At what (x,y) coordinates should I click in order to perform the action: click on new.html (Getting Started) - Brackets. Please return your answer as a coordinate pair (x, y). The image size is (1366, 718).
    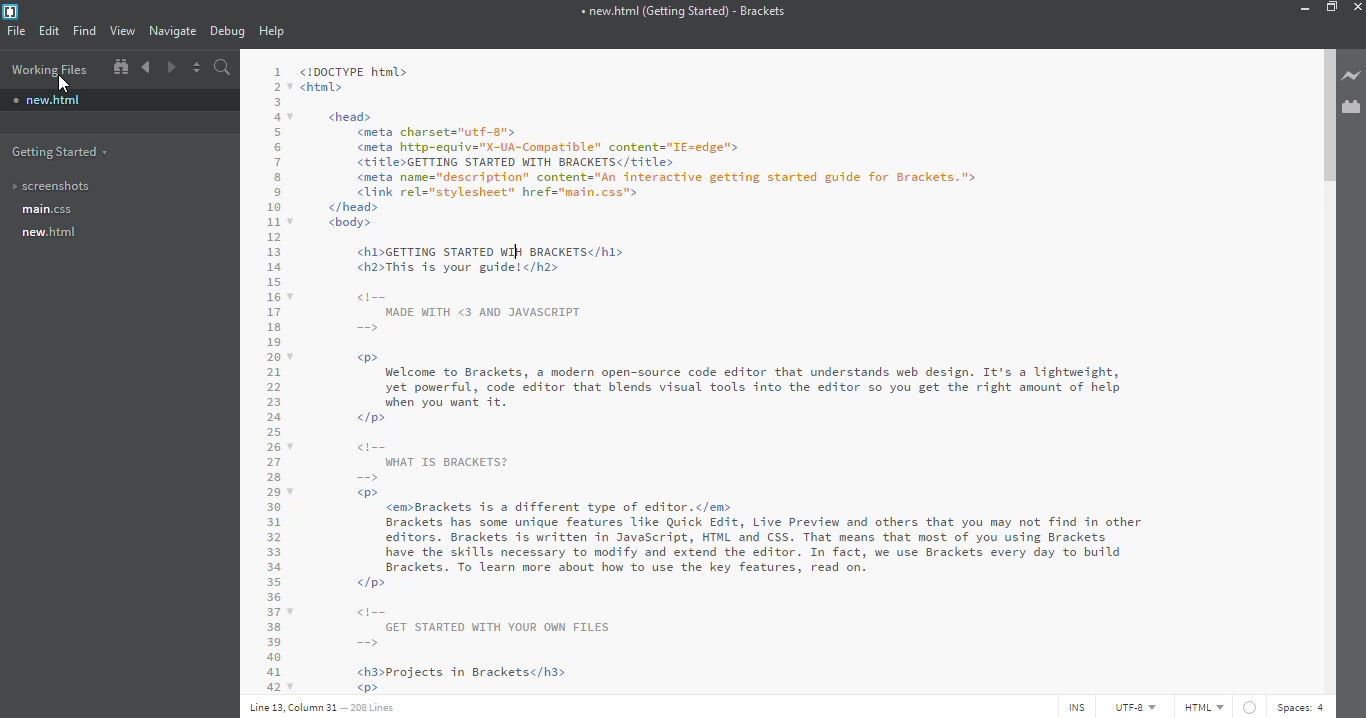
    Looking at the image, I should click on (683, 11).